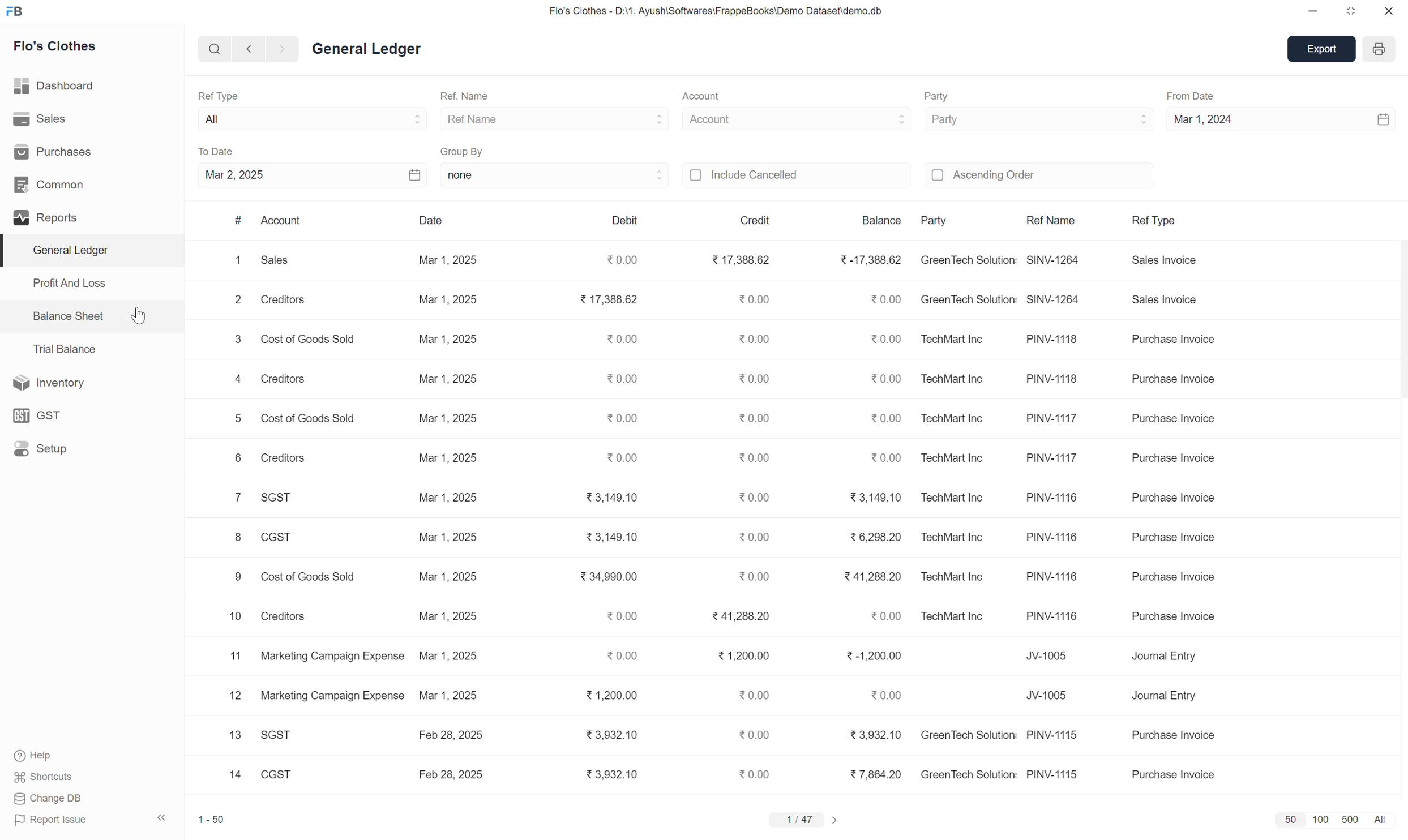  Describe the element at coordinates (615, 338) in the screenshot. I see `20.00` at that location.